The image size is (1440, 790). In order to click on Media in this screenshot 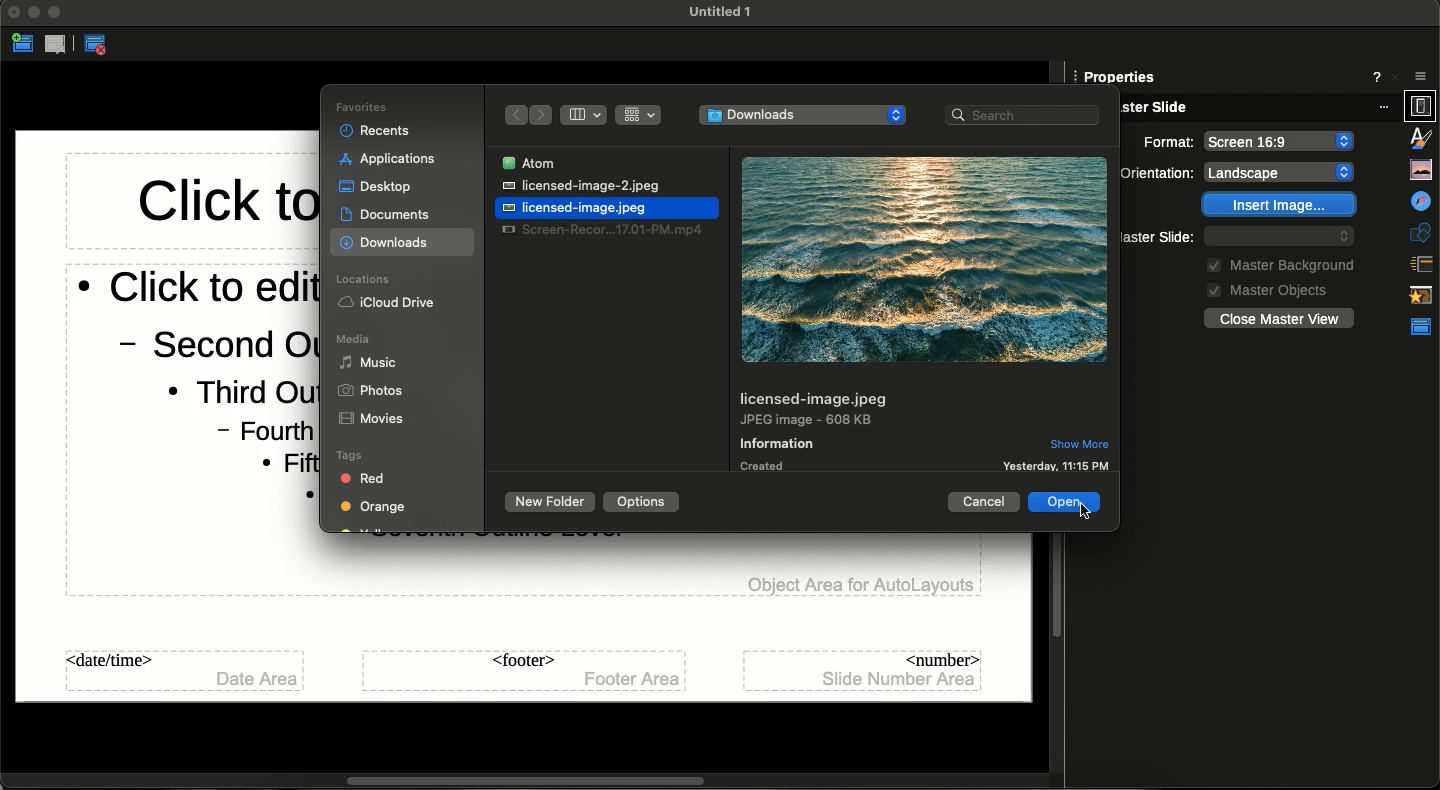, I will do `click(353, 339)`.